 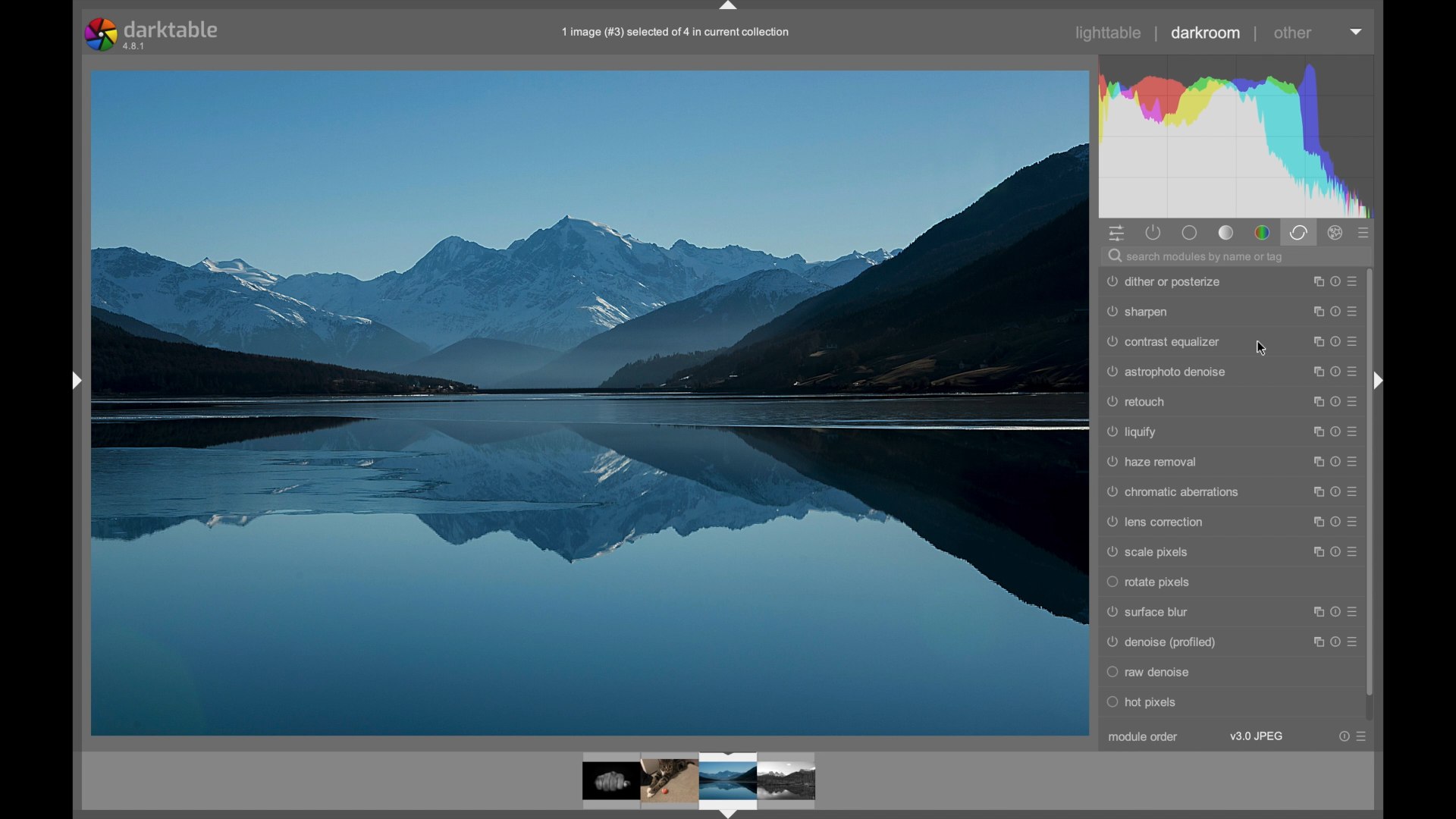 What do you see at coordinates (1333, 312) in the screenshot?
I see `more  options` at bounding box center [1333, 312].